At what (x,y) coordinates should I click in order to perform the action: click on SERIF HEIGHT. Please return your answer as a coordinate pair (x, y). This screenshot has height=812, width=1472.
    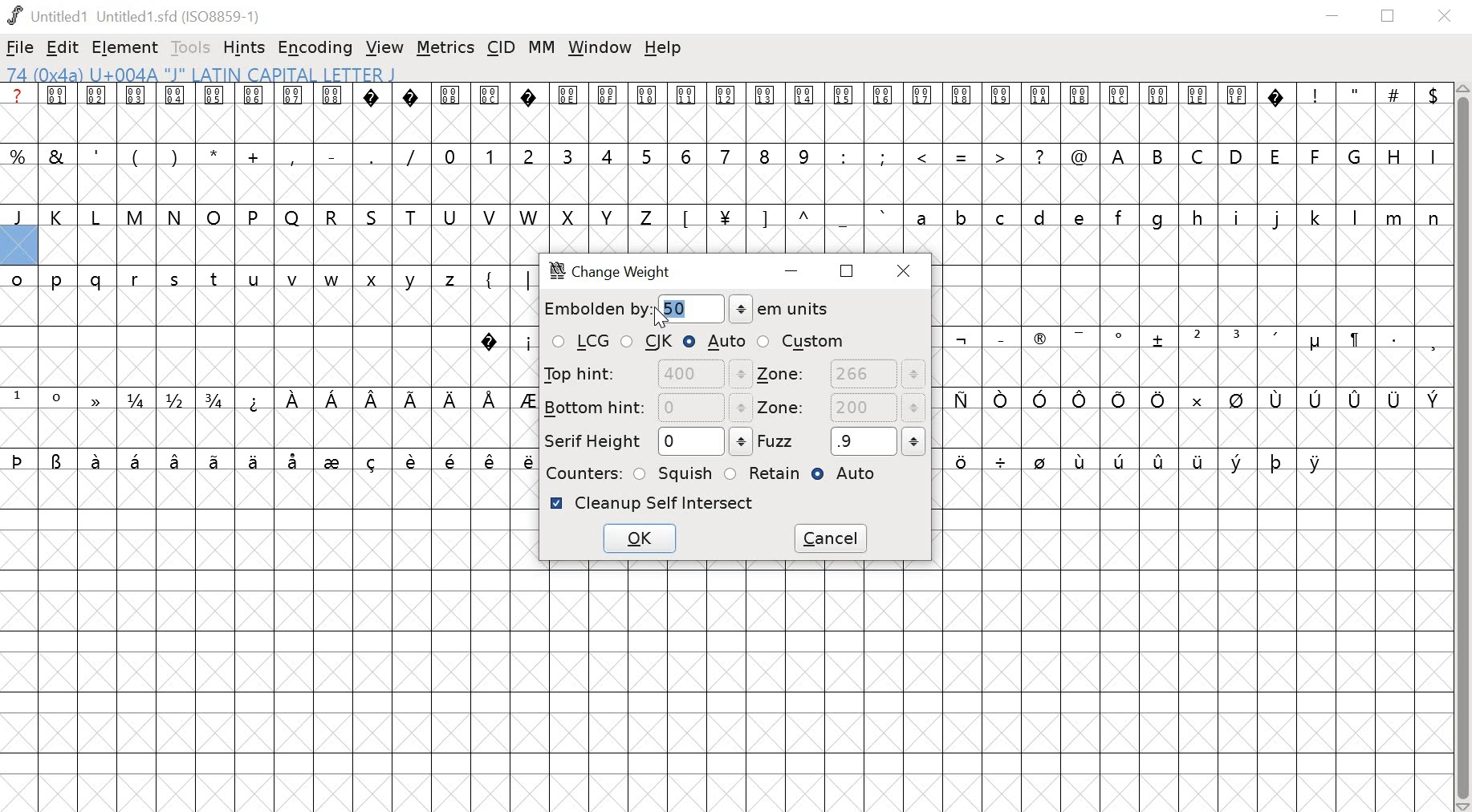
    Looking at the image, I should click on (645, 442).